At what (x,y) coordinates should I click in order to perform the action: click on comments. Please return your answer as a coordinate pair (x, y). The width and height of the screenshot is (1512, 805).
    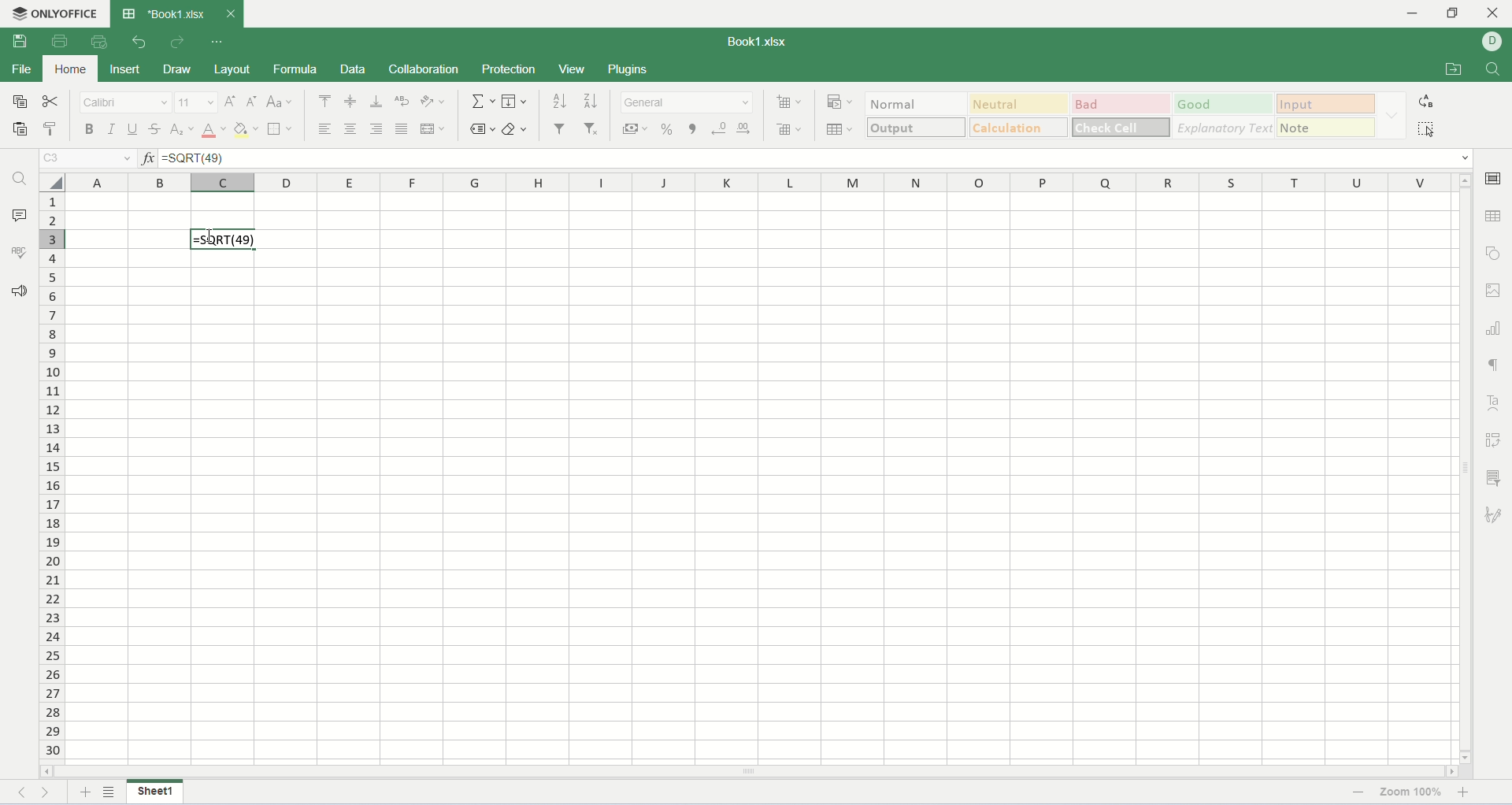
    Looking at the image, I should click on (20, 213).